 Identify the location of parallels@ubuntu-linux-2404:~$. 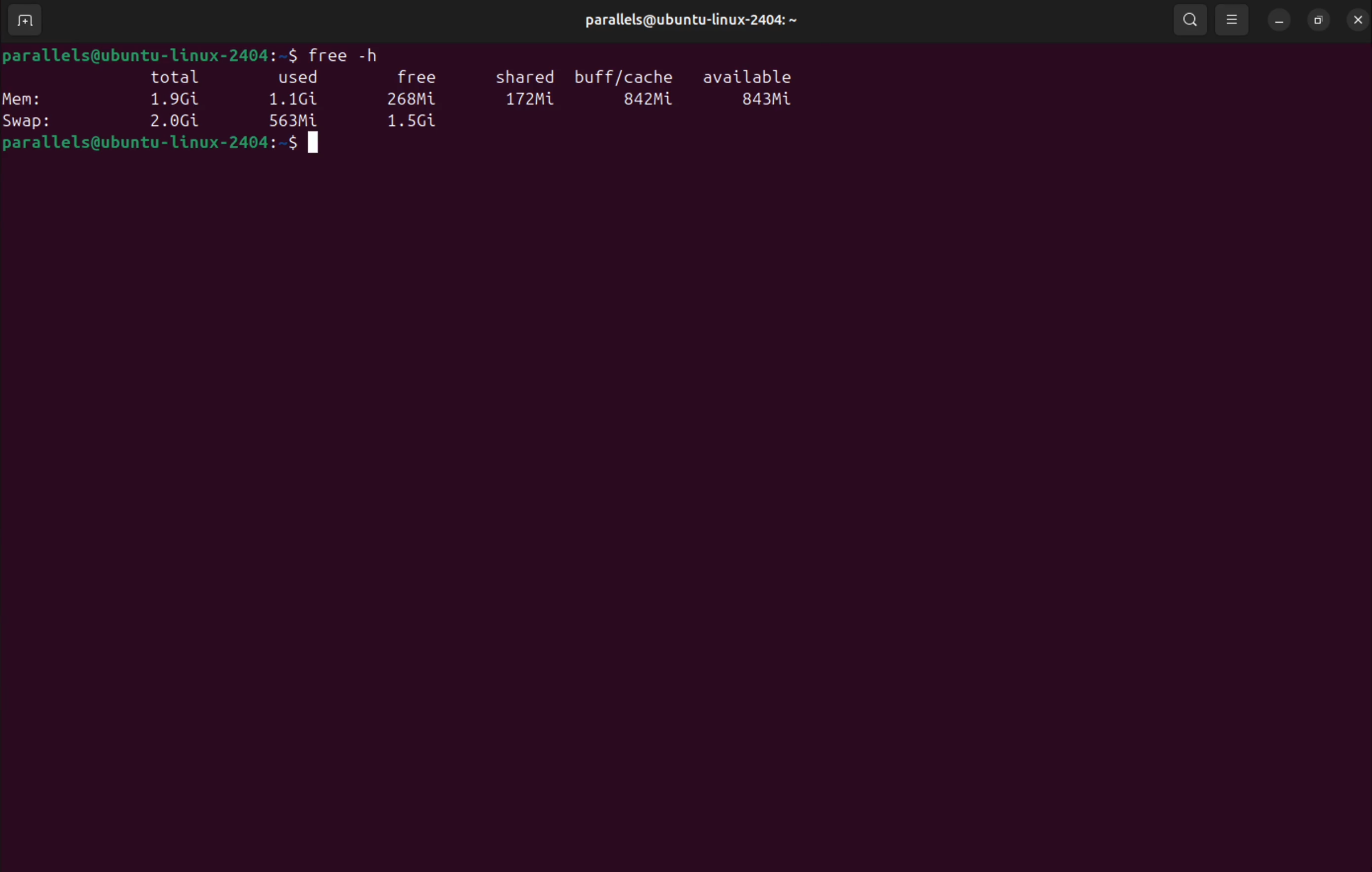
(160, 144).